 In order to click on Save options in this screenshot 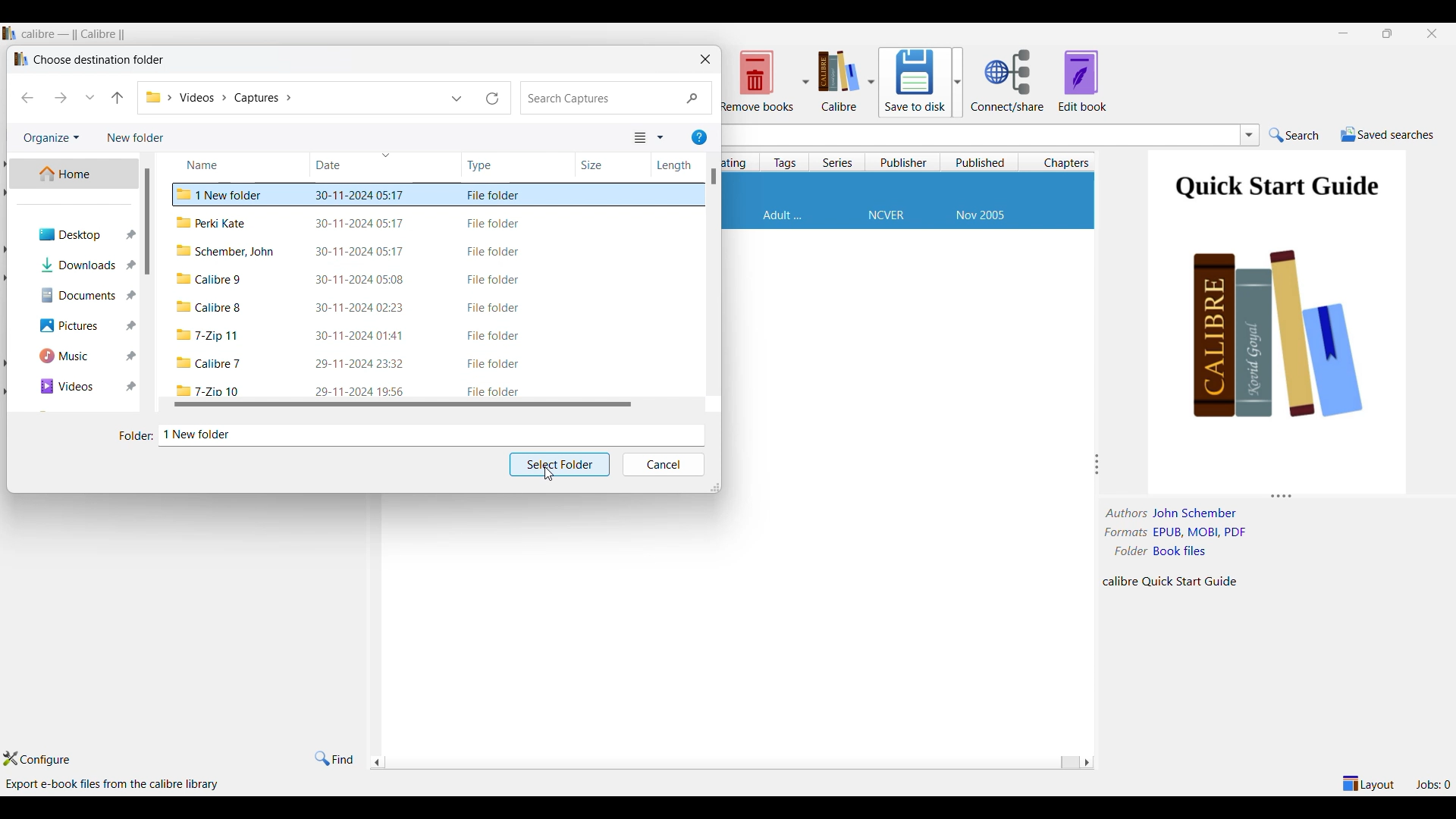, I will do `click(921, 82)`.